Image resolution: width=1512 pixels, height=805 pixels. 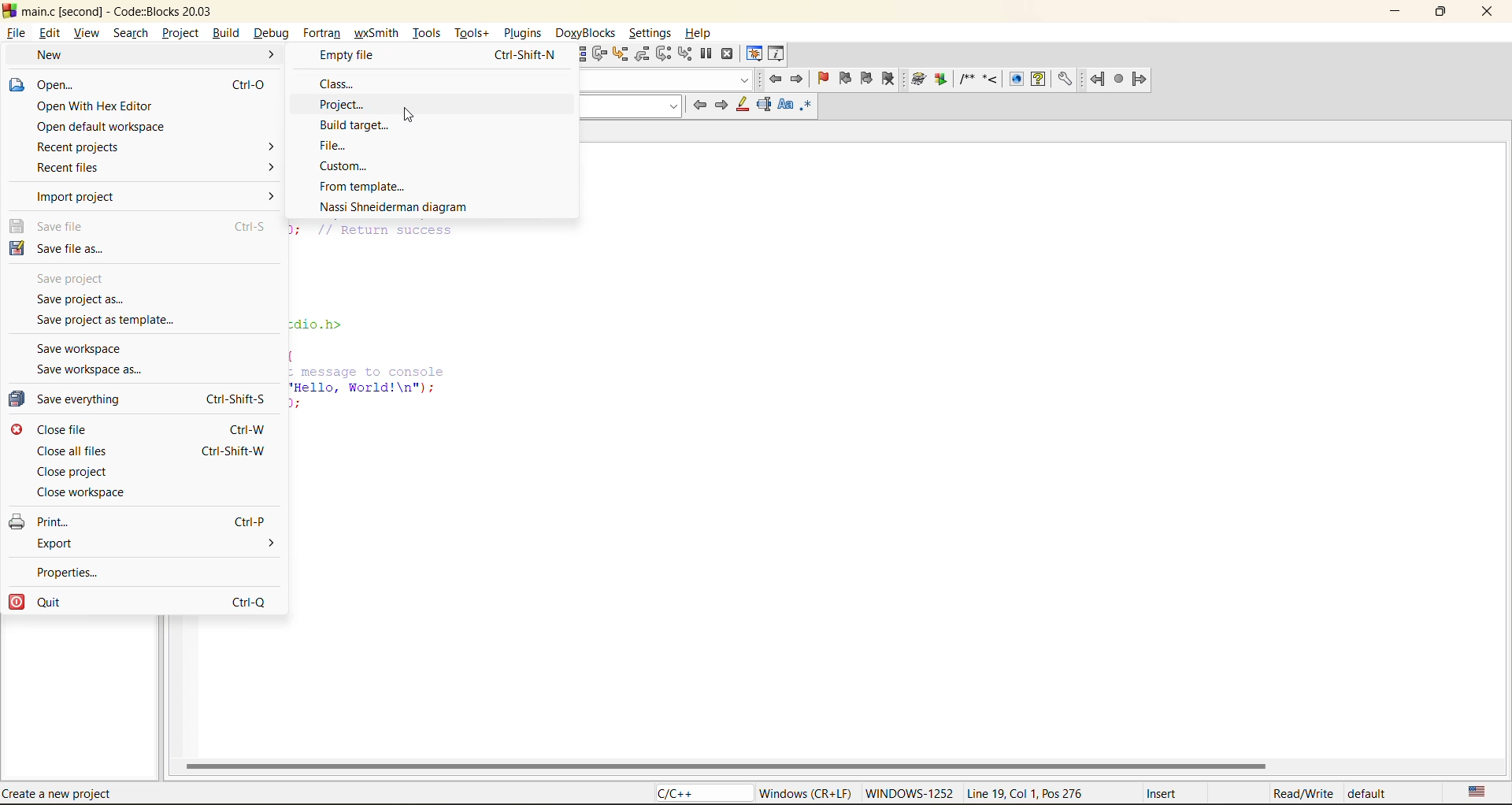 I want to click on open, so click(x=56, y=85).